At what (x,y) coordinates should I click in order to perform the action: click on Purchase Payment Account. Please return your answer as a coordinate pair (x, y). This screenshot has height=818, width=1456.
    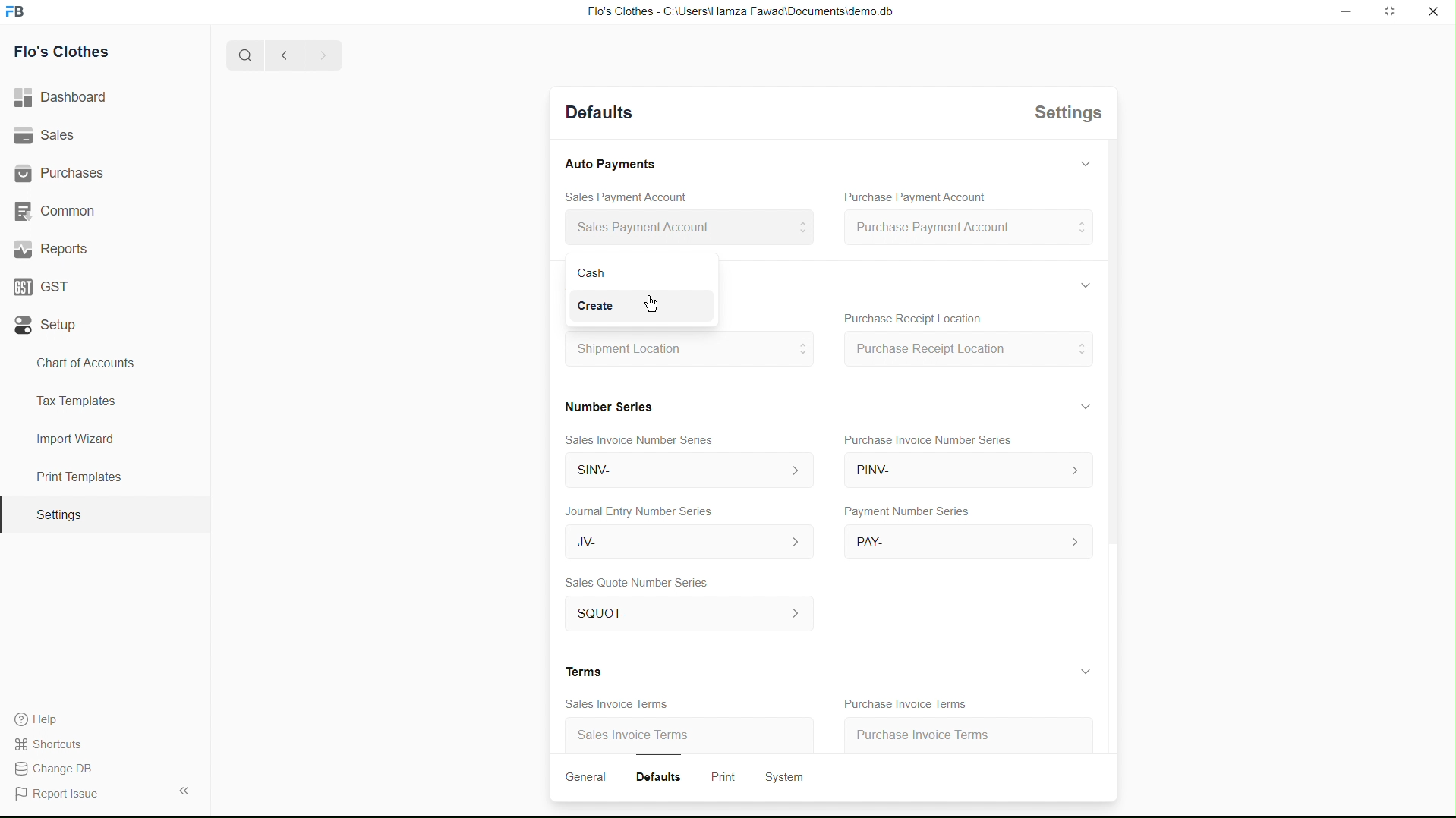
    Looking at the image, I should click on (913, 196).